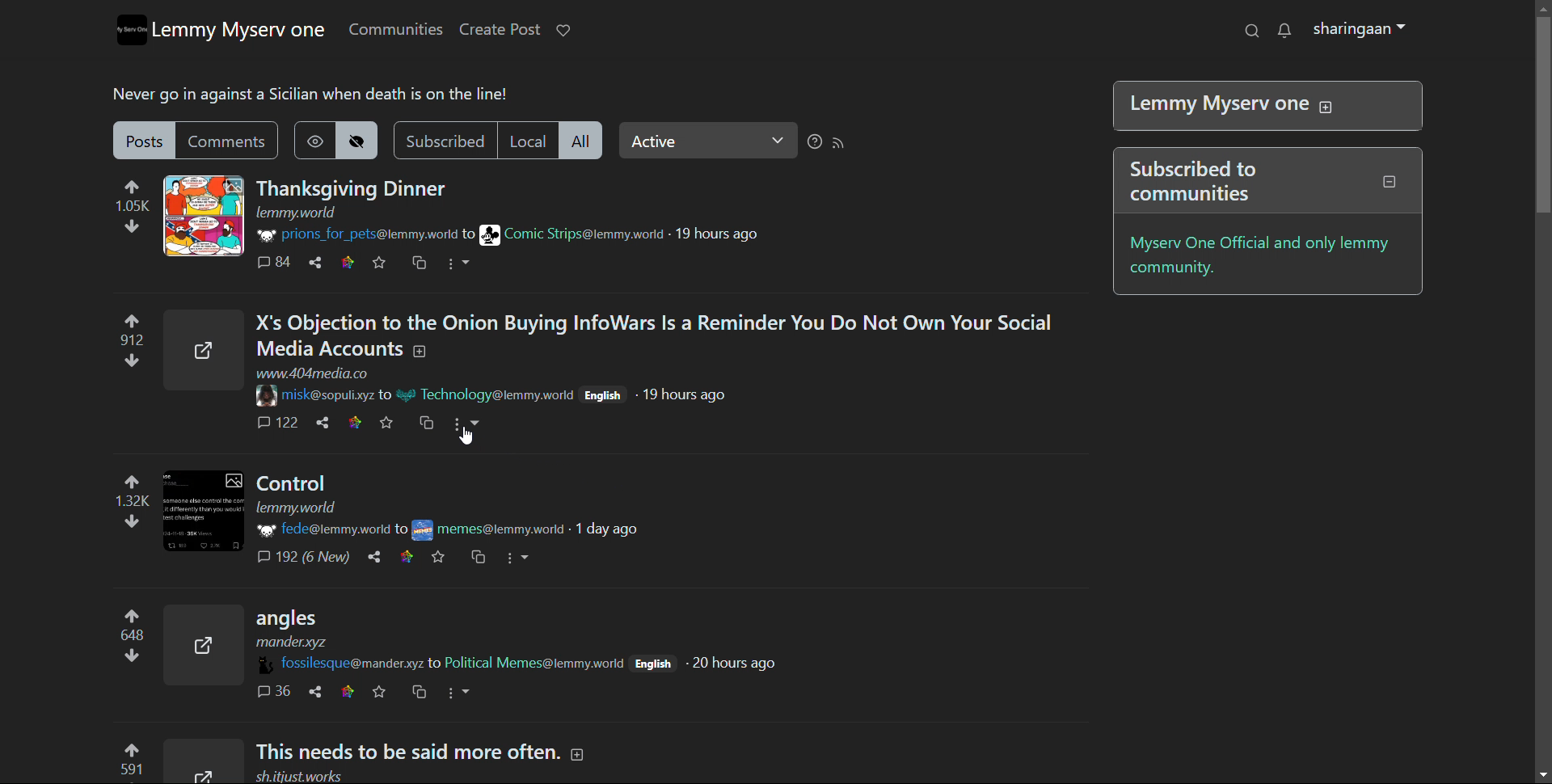 The width and height of the screenshot is (1552, 784). I want to click on communities, so click(395, 29).